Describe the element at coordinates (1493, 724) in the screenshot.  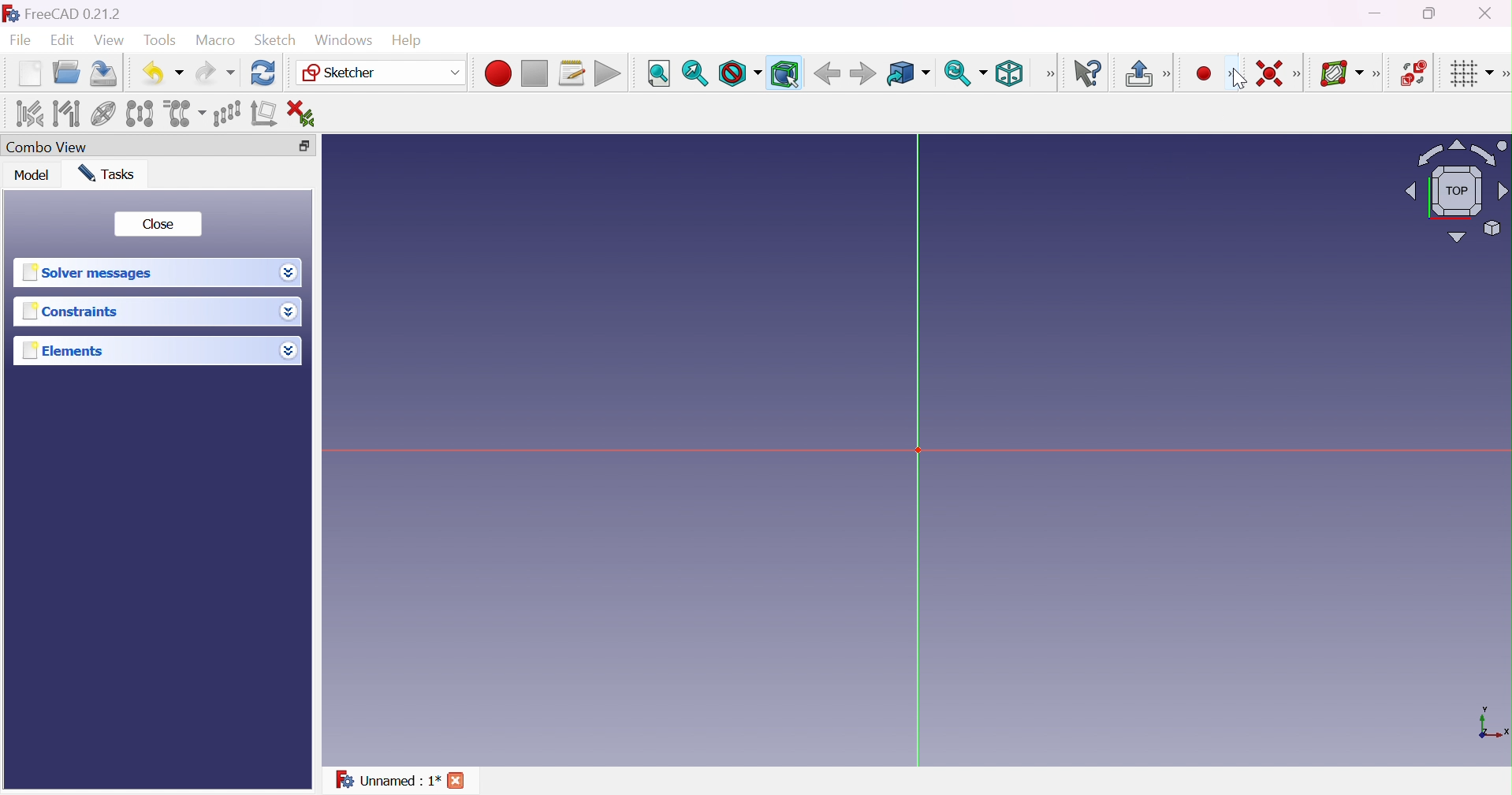
I see `x, y plane` at that location.